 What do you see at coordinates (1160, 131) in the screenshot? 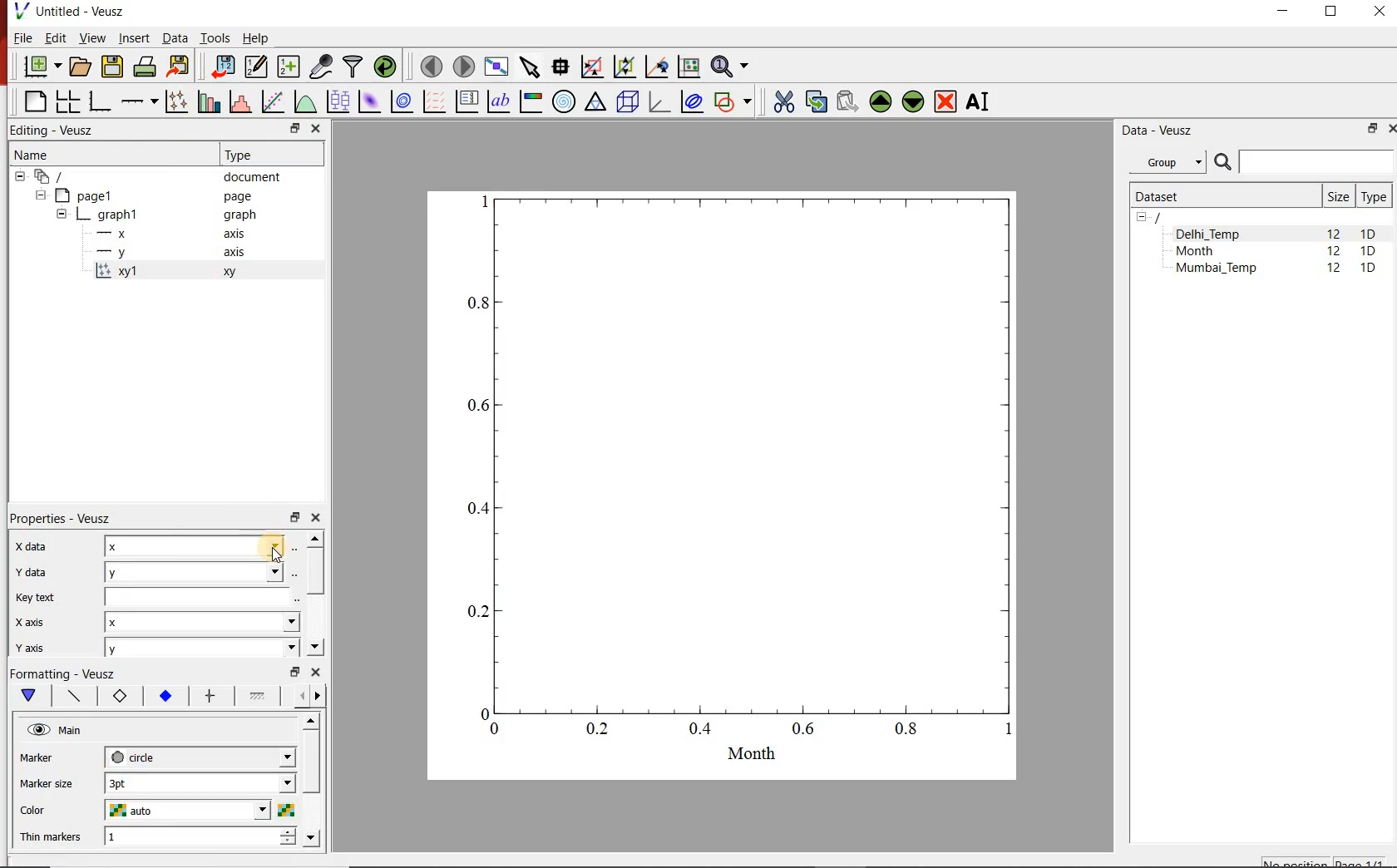
I see `Data - Veusz` at bounding box center [1160, 131].